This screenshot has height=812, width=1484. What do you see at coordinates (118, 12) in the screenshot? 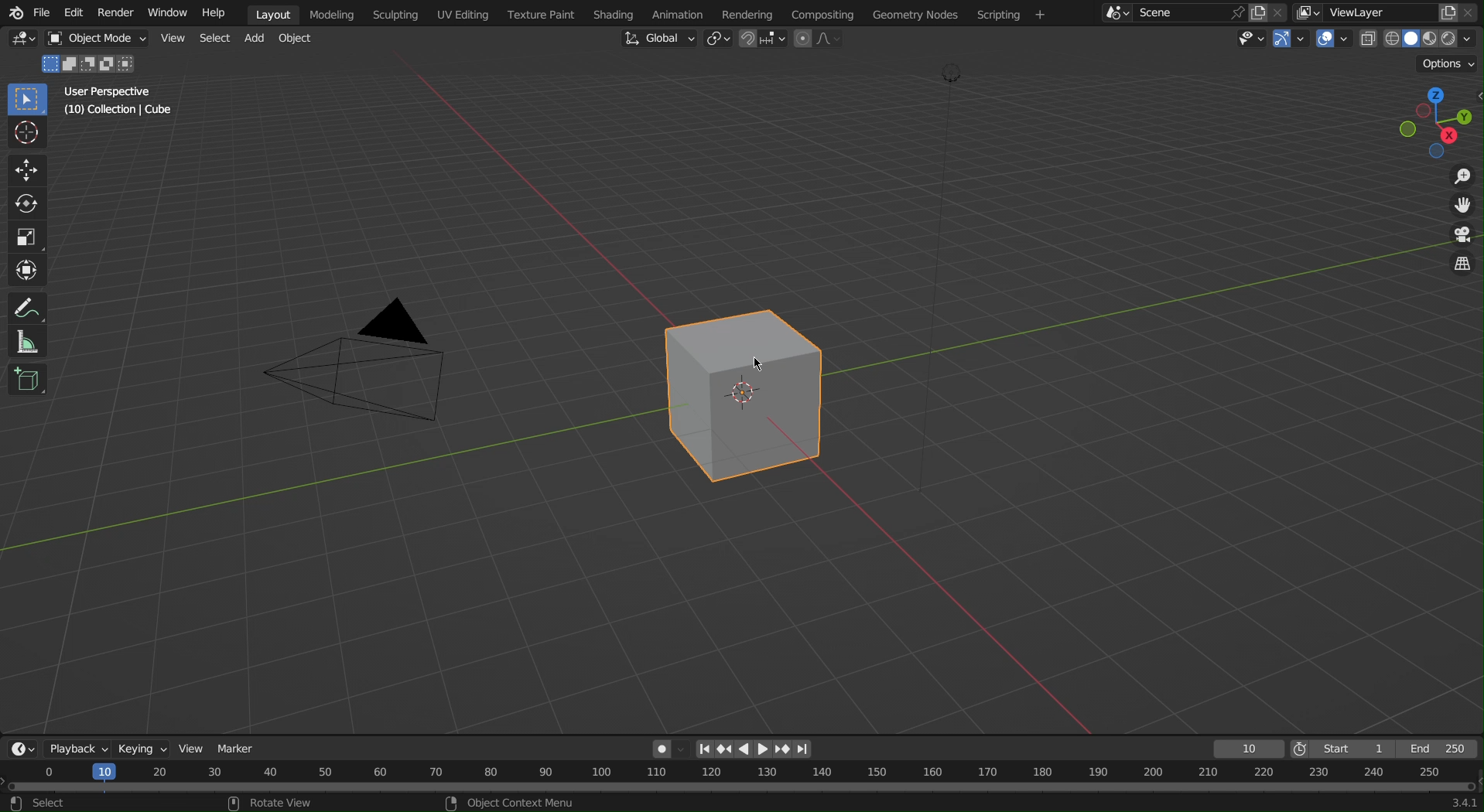
I see `Render` at bounding box center [118, 12].